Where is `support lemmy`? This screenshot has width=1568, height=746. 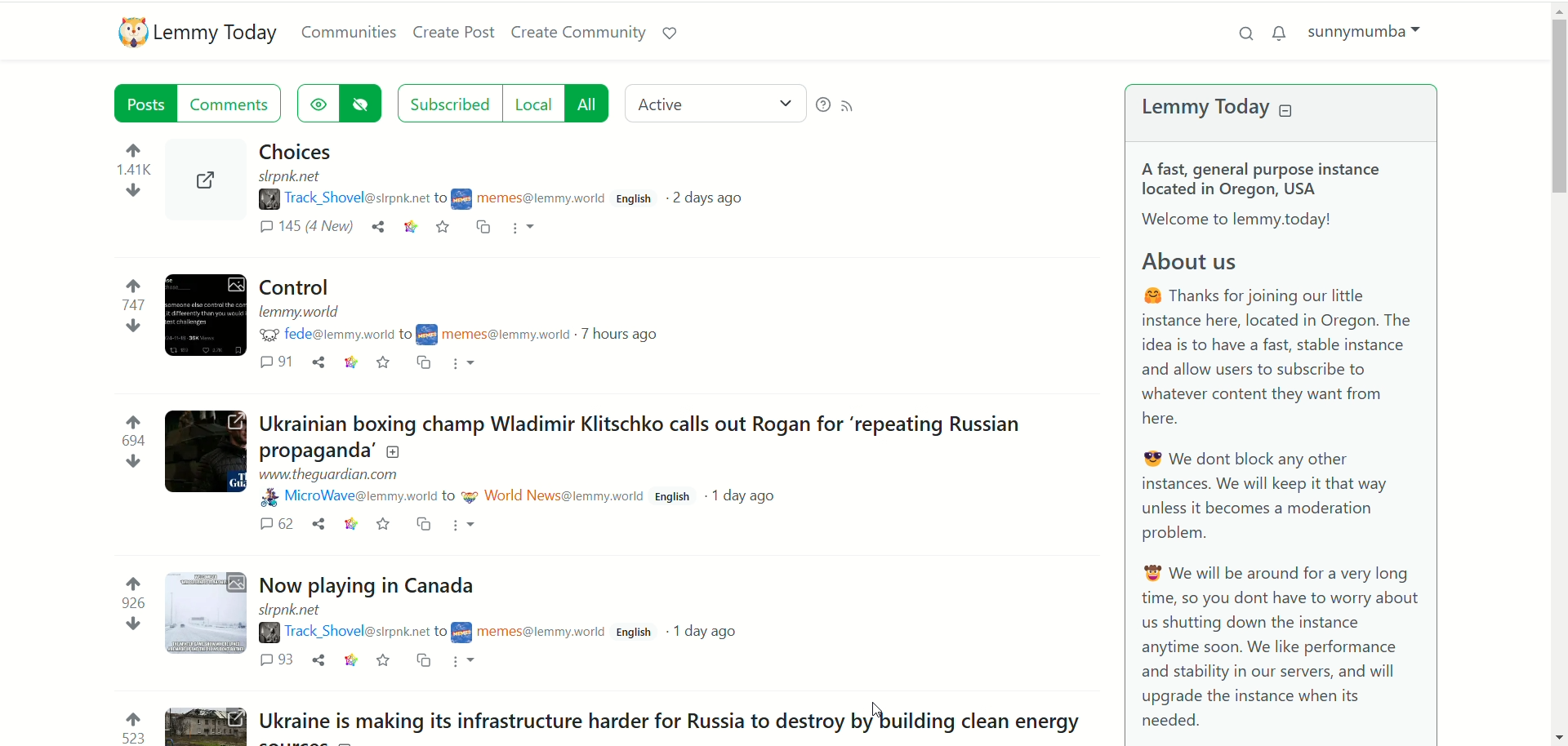
support lemmy is located at coordinates (669, 32).